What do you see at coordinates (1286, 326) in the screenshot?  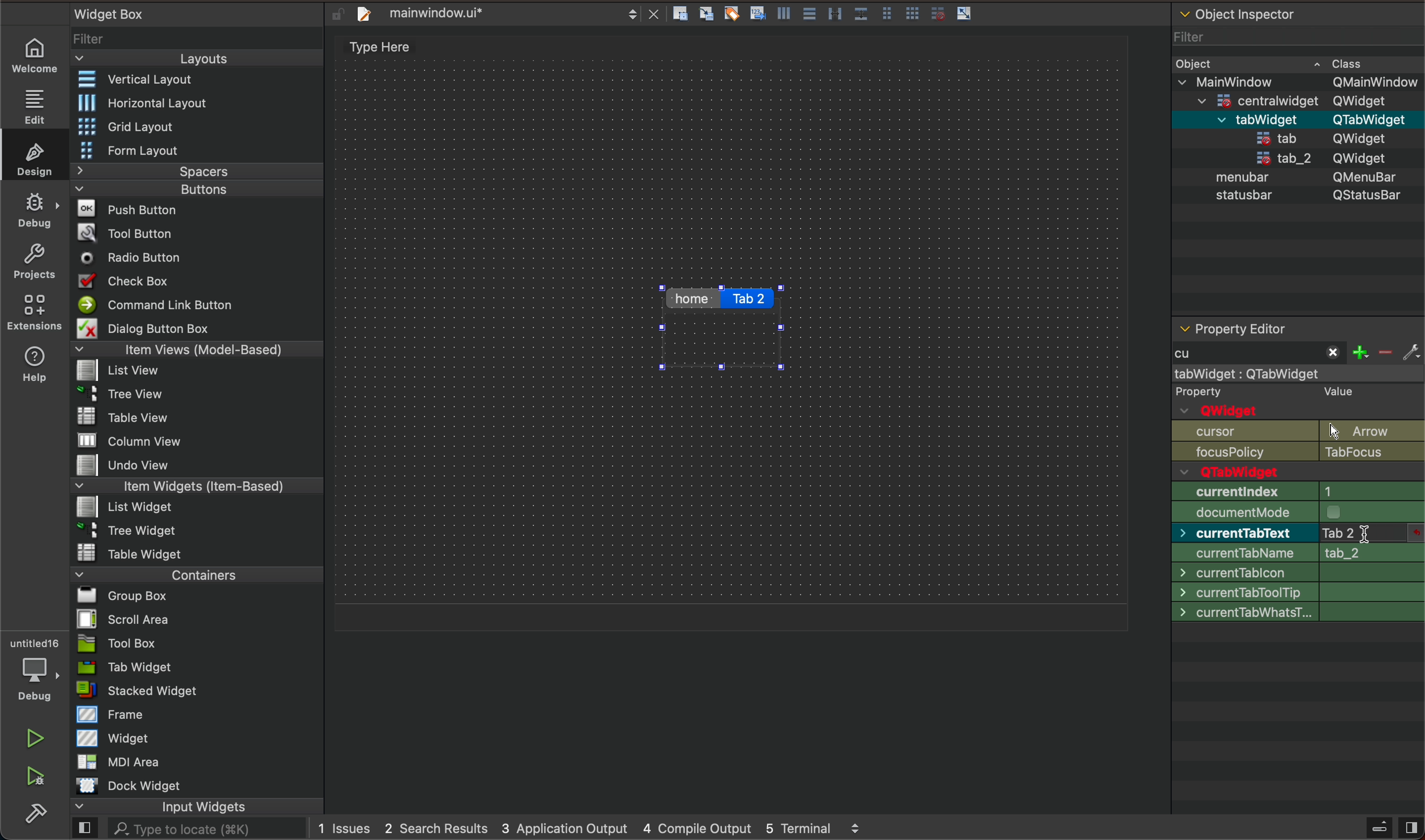 I see `property editor` at bounding box center [1286, 326].